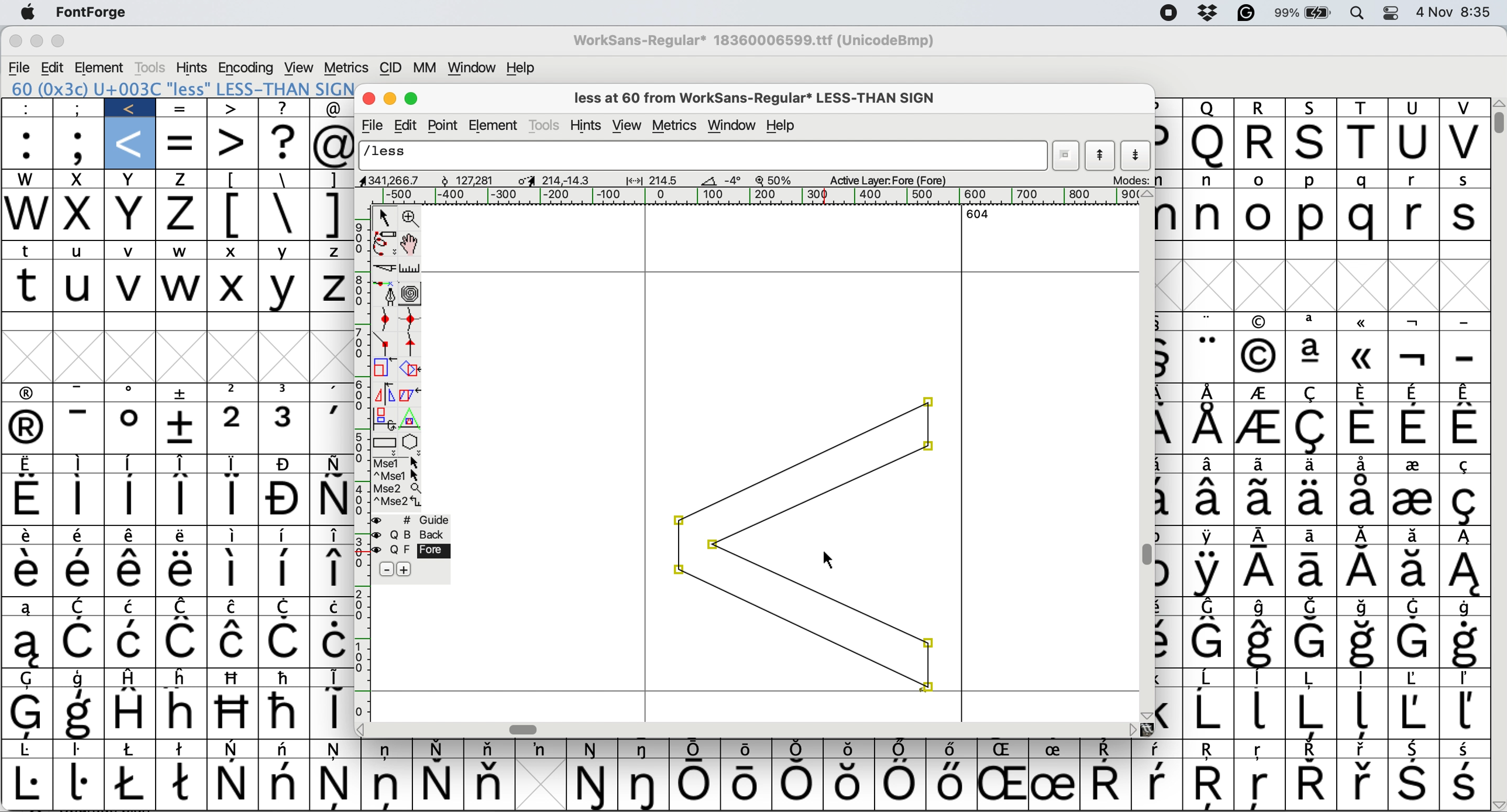  Describe the element at coordinates (287, 749) in the screenshot. I see `Symbol` at that location.